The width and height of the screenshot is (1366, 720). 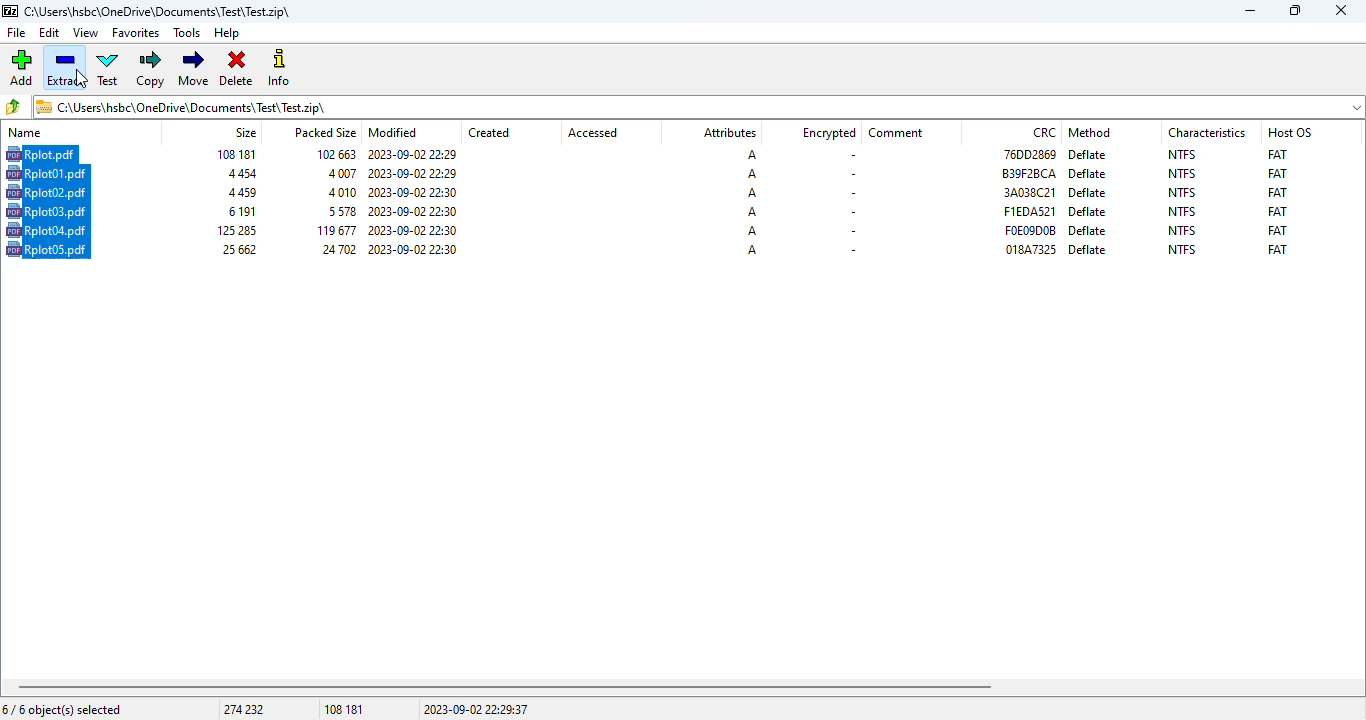 What do you see at coordinates (852, 174) in the screenshot?
I see `-` at bounding box center [852, 174].